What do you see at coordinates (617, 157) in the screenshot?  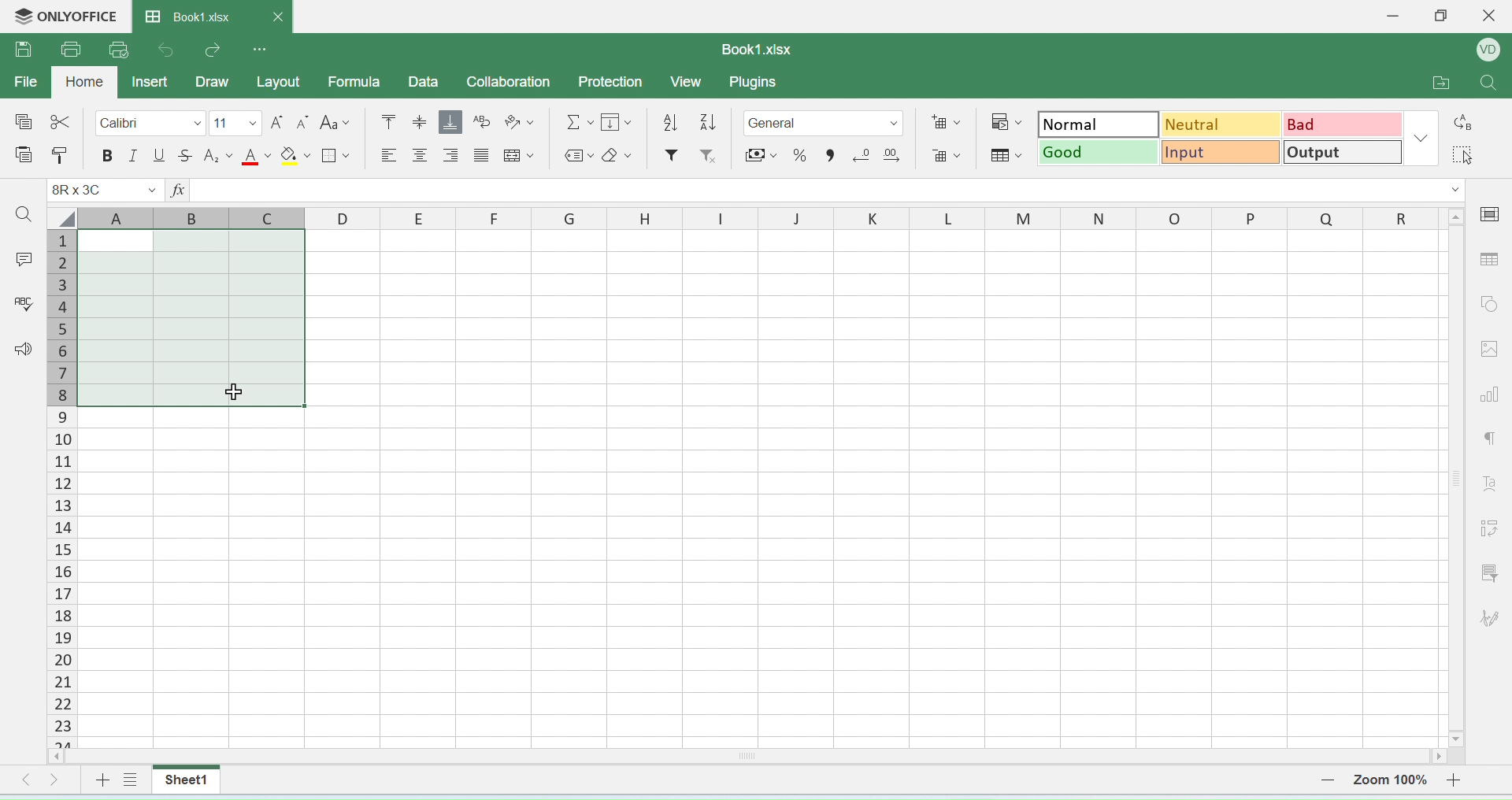 I see `erase` at bounding box center [617, 157].